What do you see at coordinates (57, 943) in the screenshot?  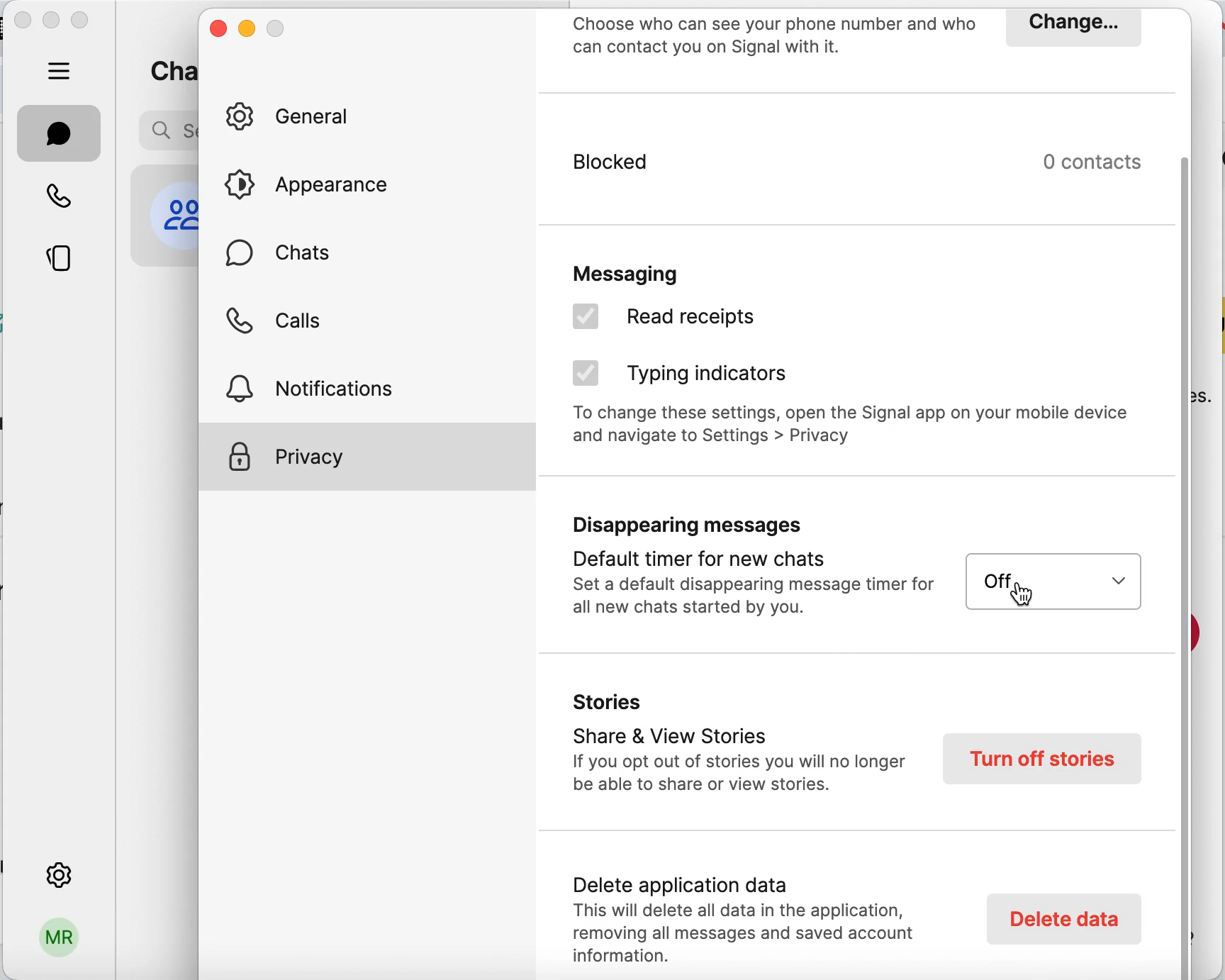 I see `user` at bounding box center [57, 943].